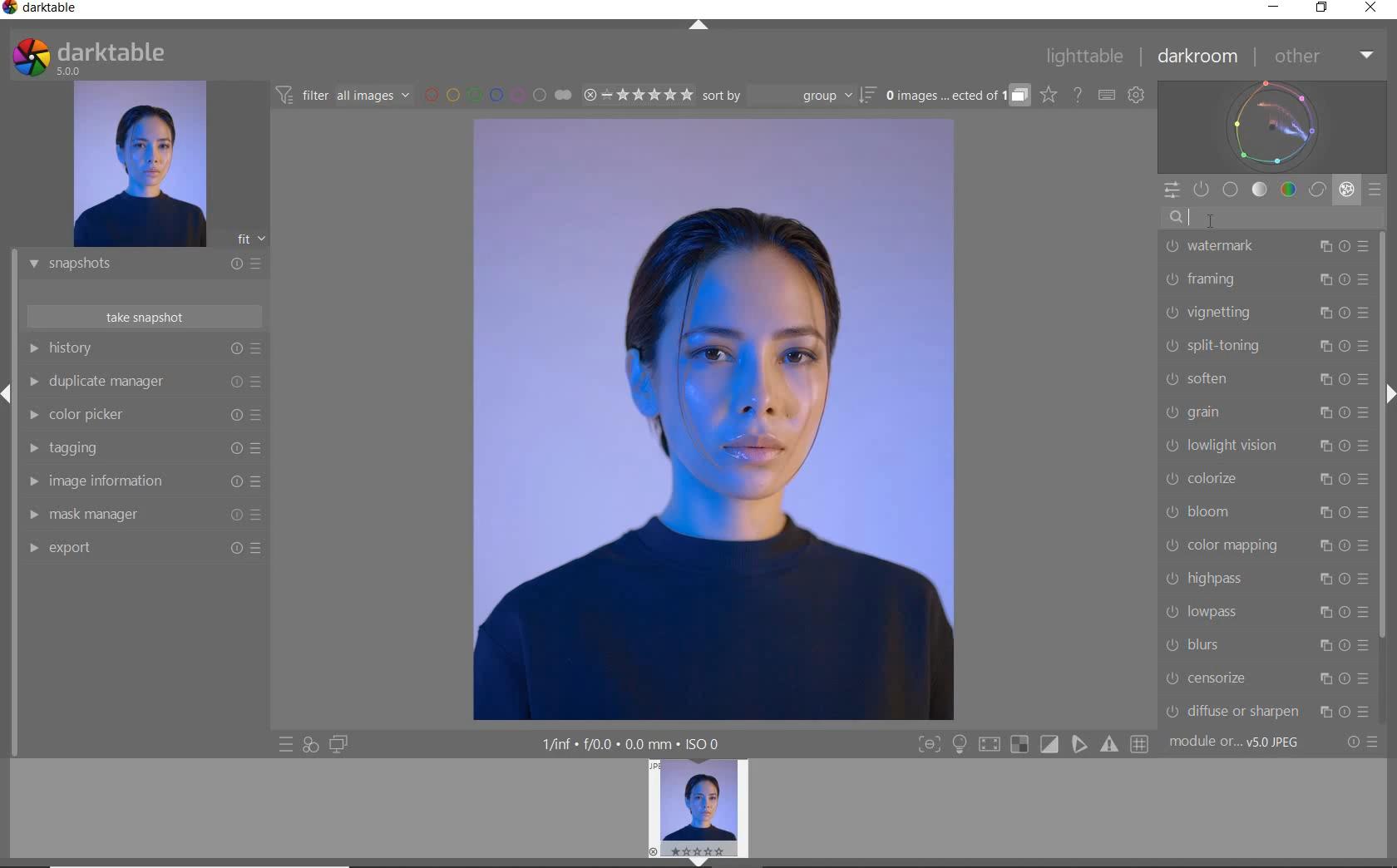  I want to click on EFFECT, so click(1346, 189).